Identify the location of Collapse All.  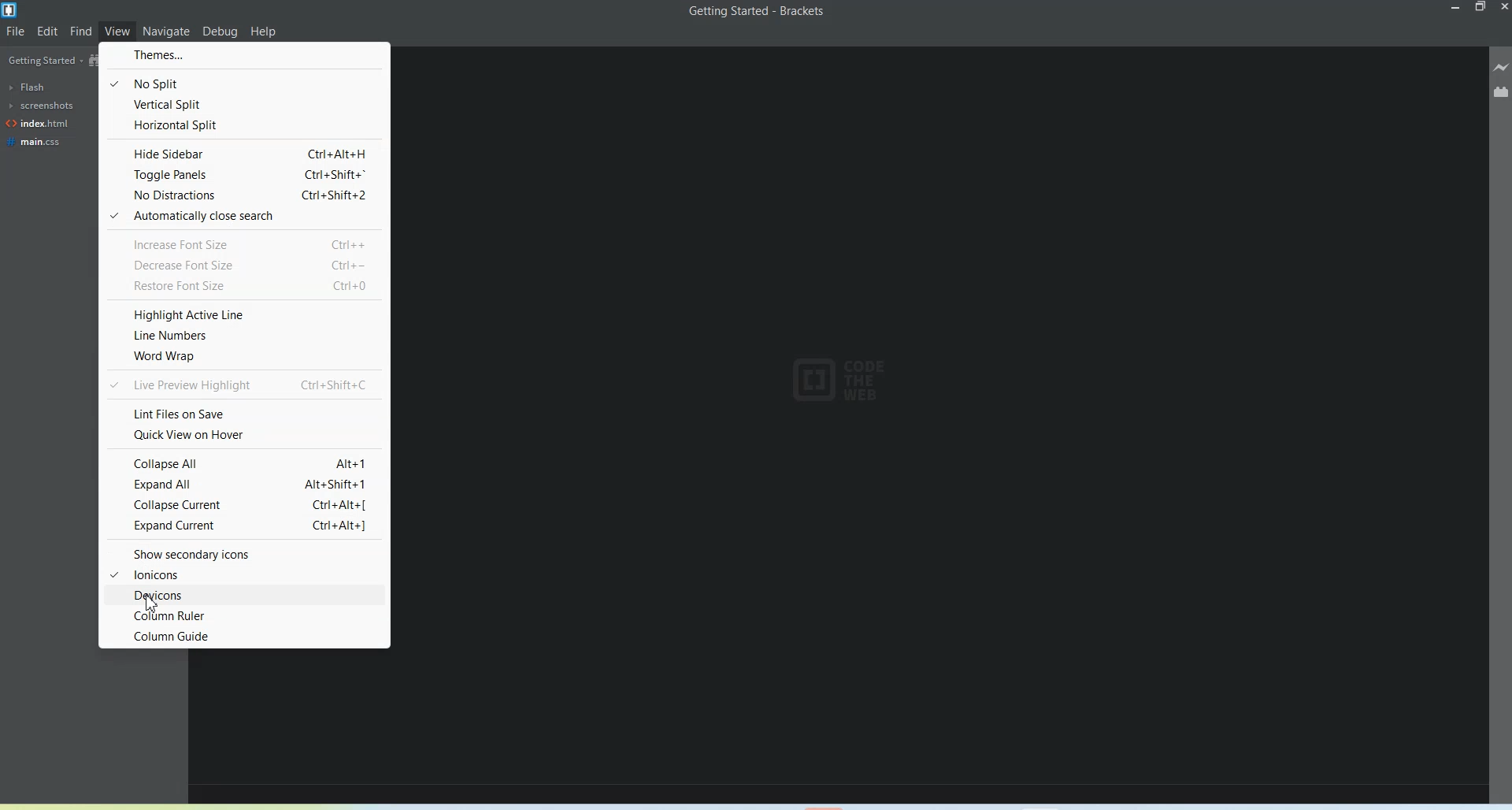
(243, 463).